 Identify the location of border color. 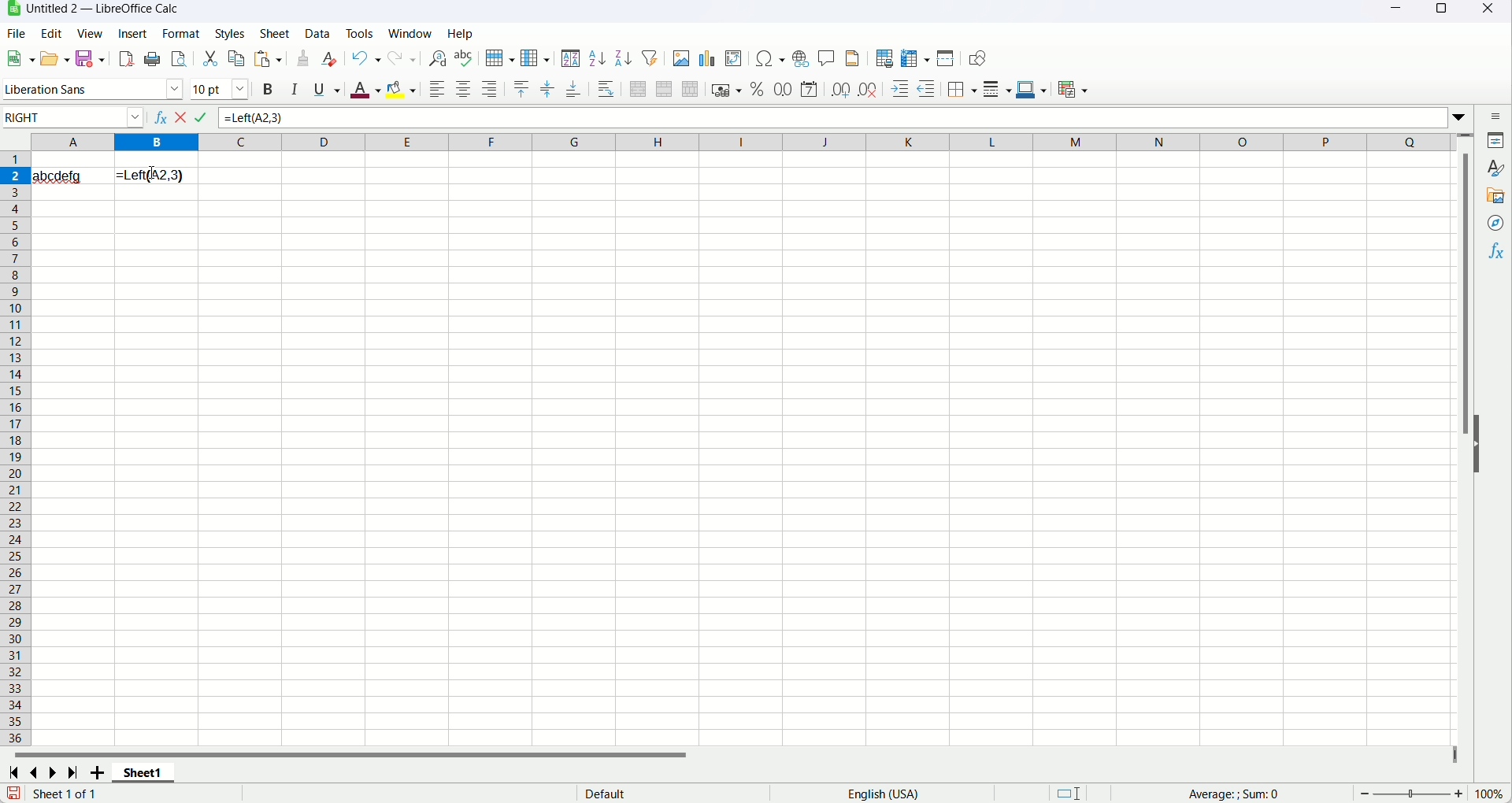
(1031, 90).